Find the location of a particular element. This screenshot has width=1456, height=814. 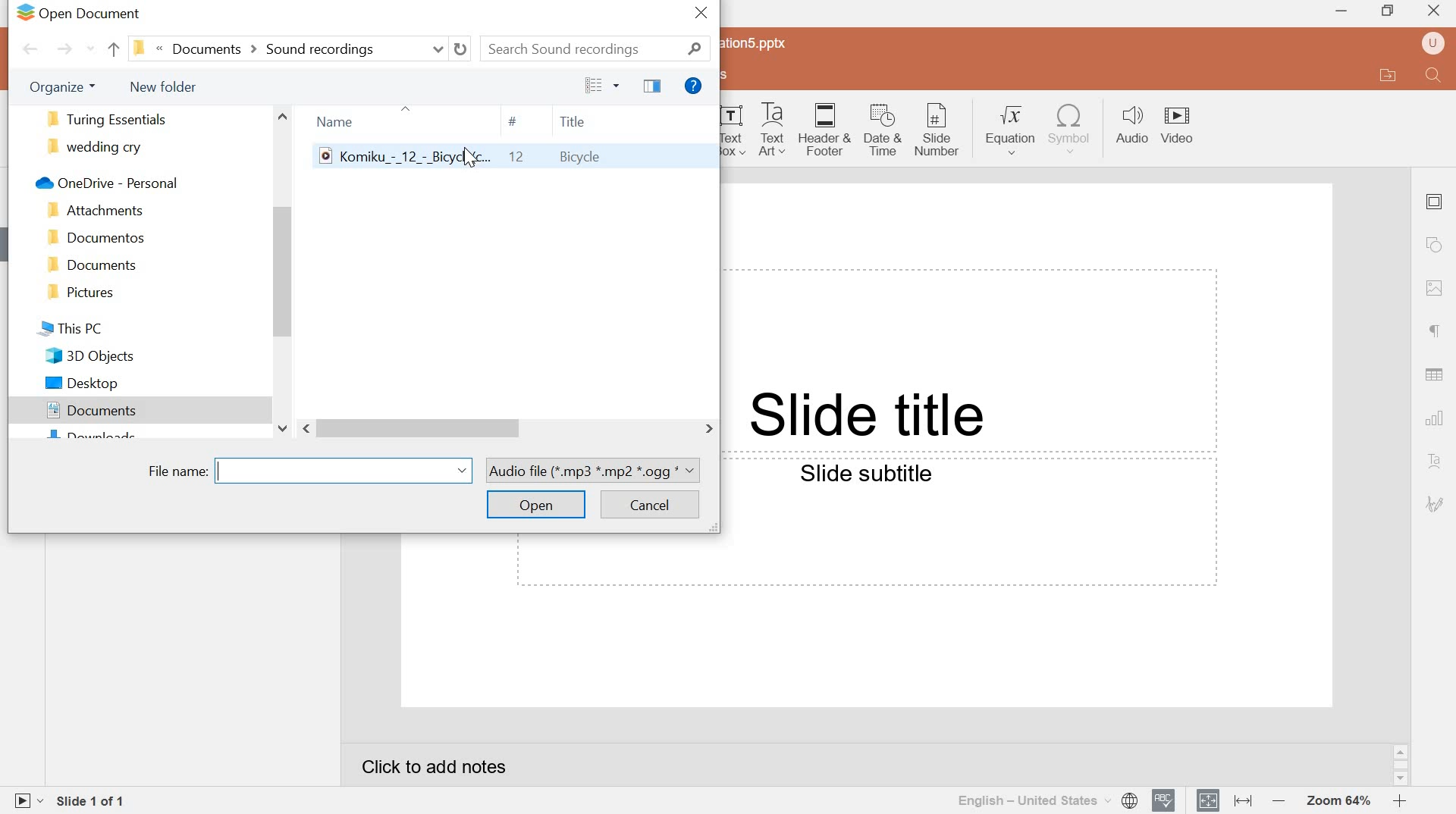

signature is located at coordinates (1435, 505).